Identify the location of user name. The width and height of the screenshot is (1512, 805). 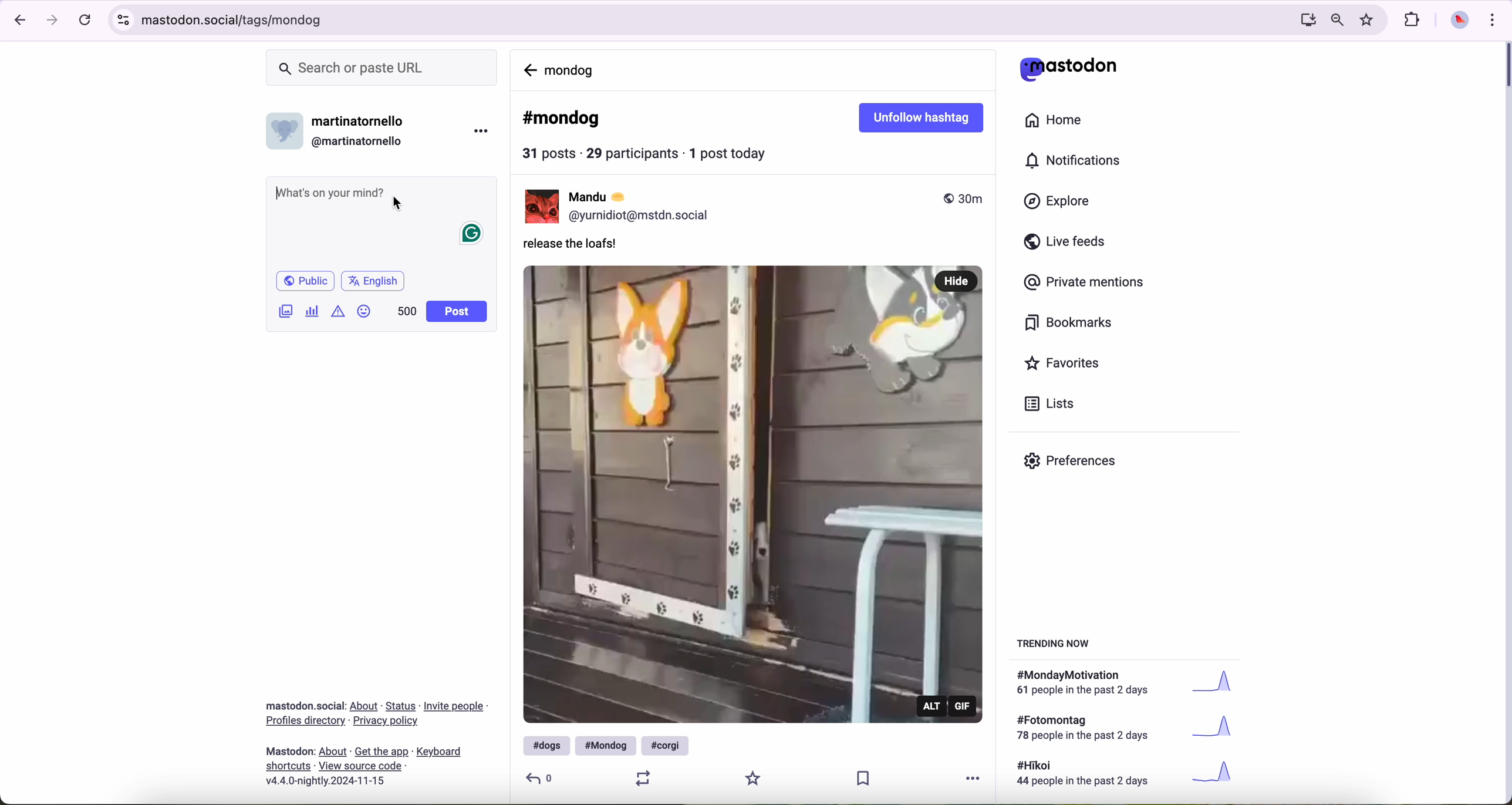
(607, 197).